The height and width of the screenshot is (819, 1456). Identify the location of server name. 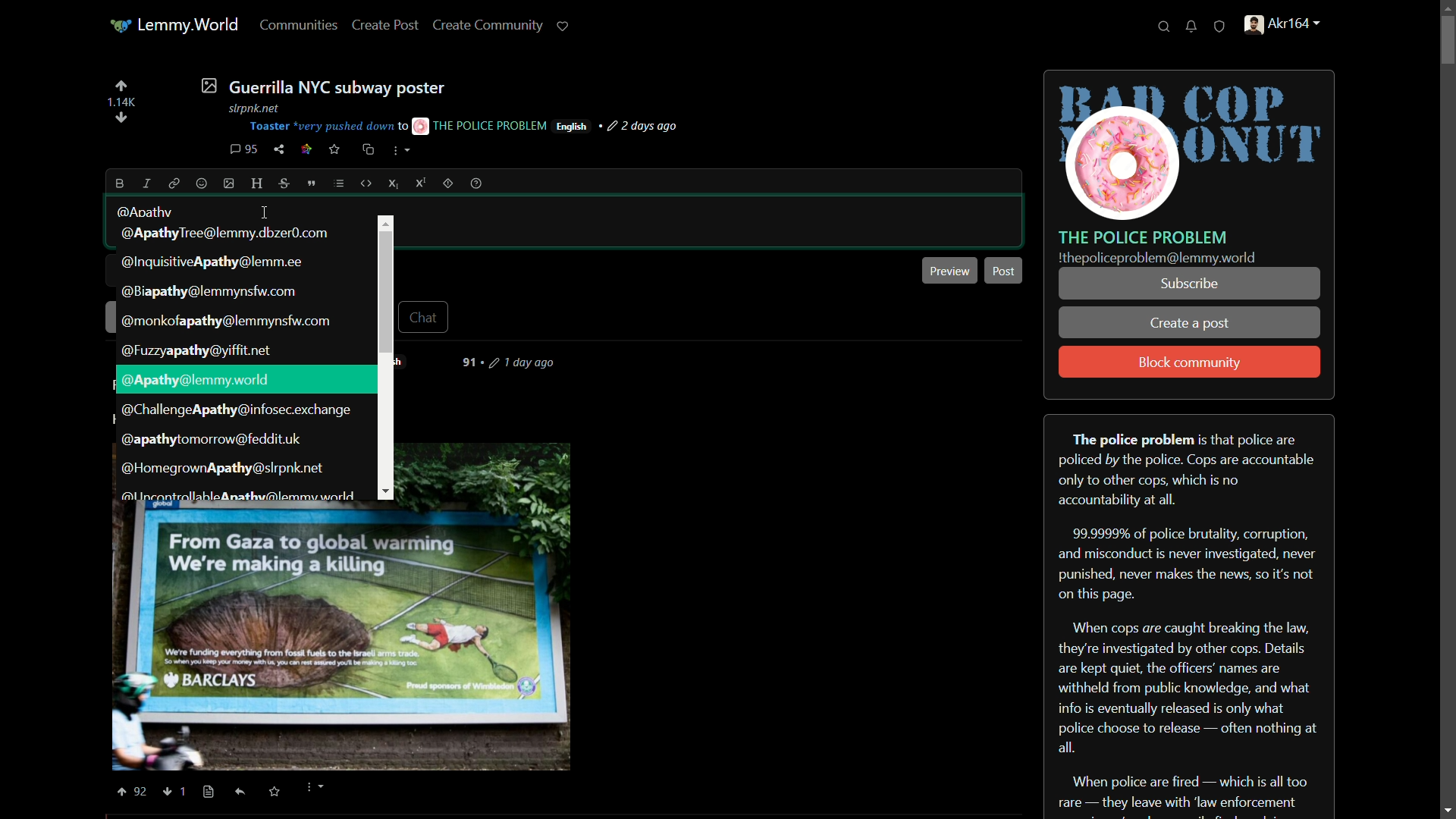
(1144, 237).